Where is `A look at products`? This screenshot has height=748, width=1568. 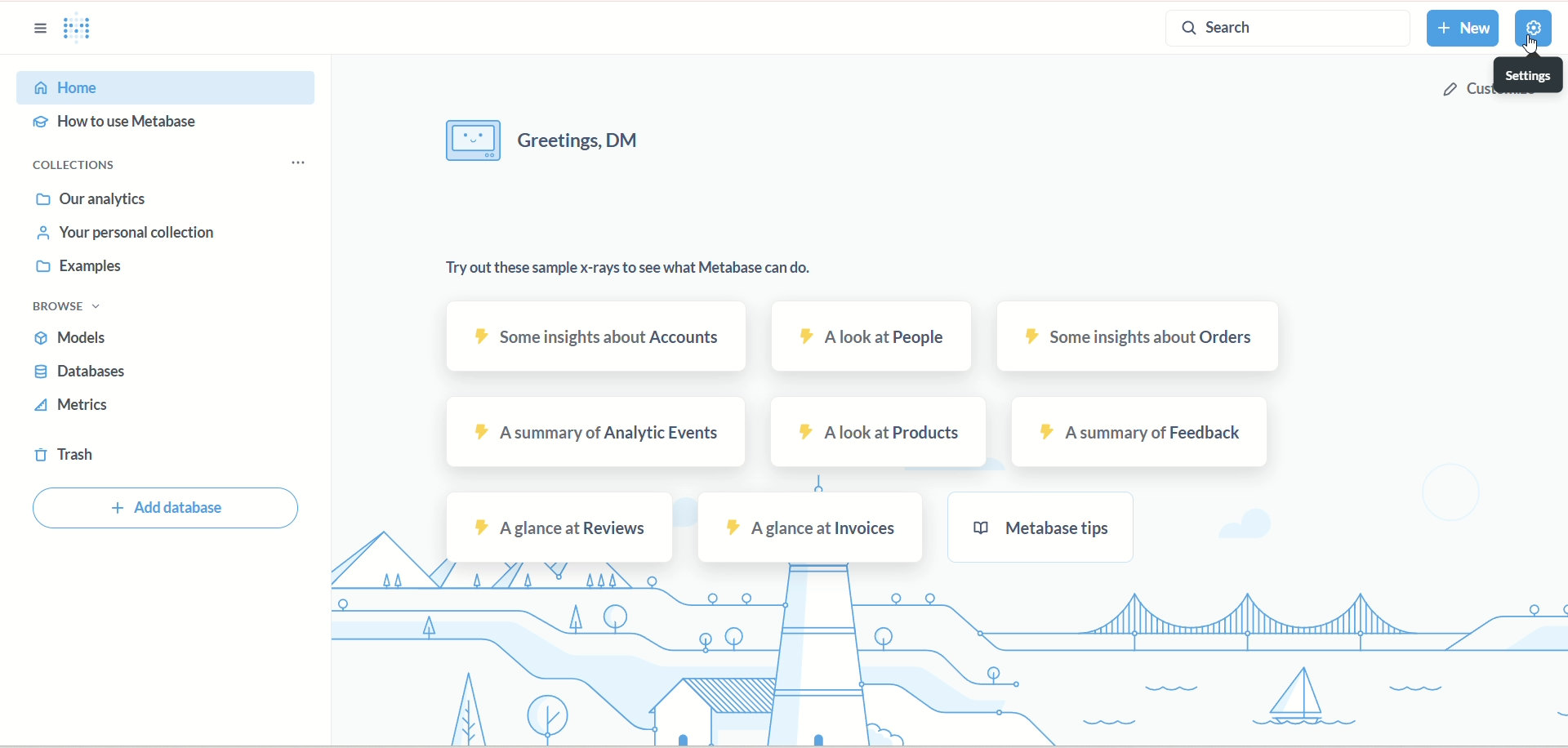
A look at products is located at coordinates (880, 434).